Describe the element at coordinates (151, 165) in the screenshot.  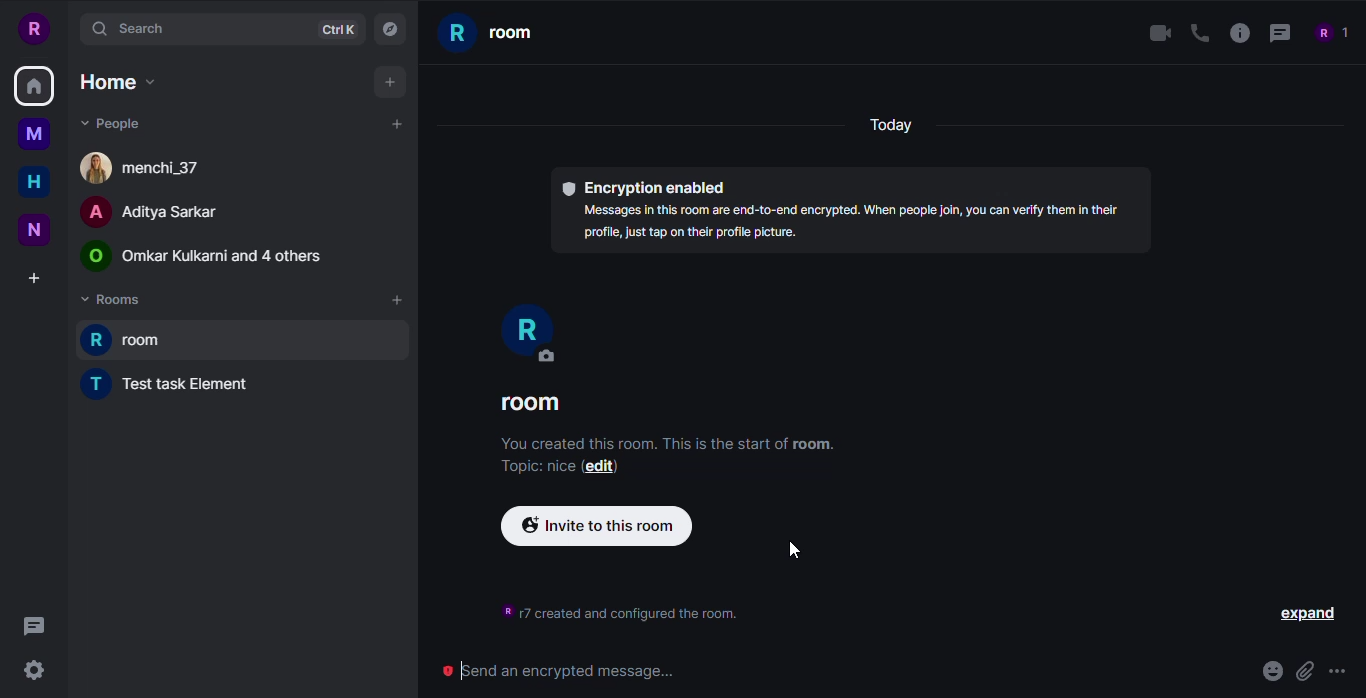
I see `people` at that location.